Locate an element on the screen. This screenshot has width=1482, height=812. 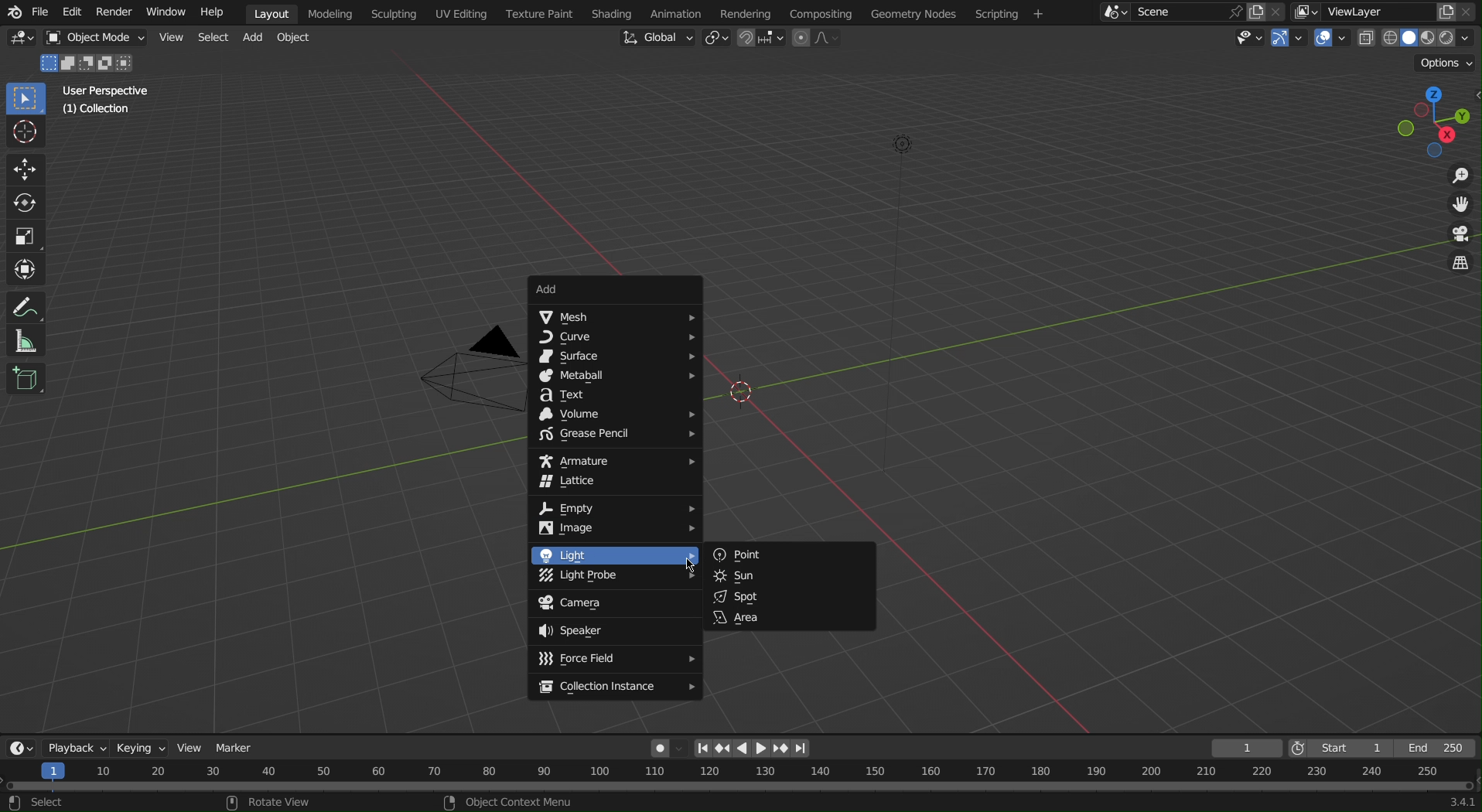
next is located at coordinates (801, 749).